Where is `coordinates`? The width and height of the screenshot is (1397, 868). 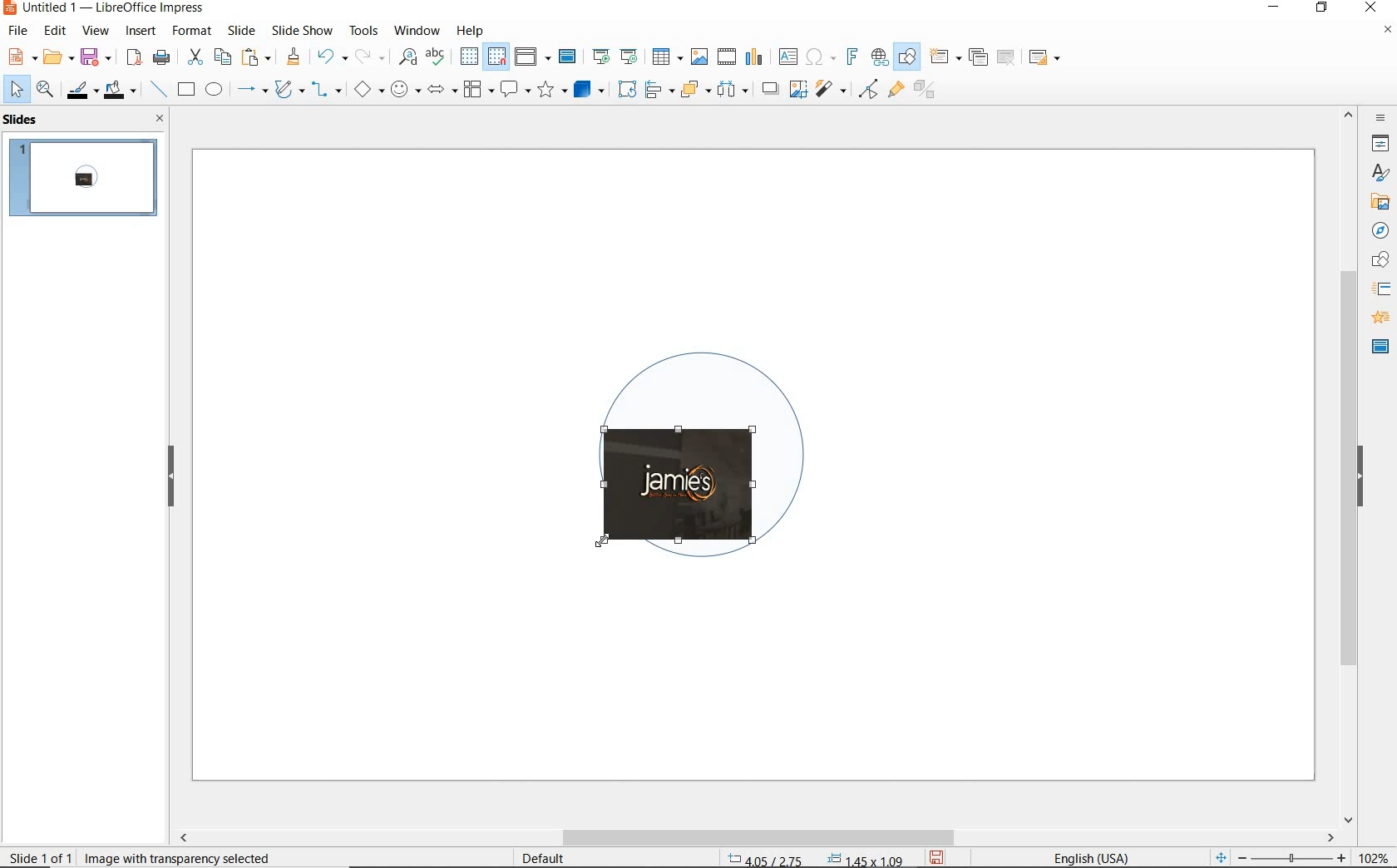
coordinates is located at coordinates (813, 860).